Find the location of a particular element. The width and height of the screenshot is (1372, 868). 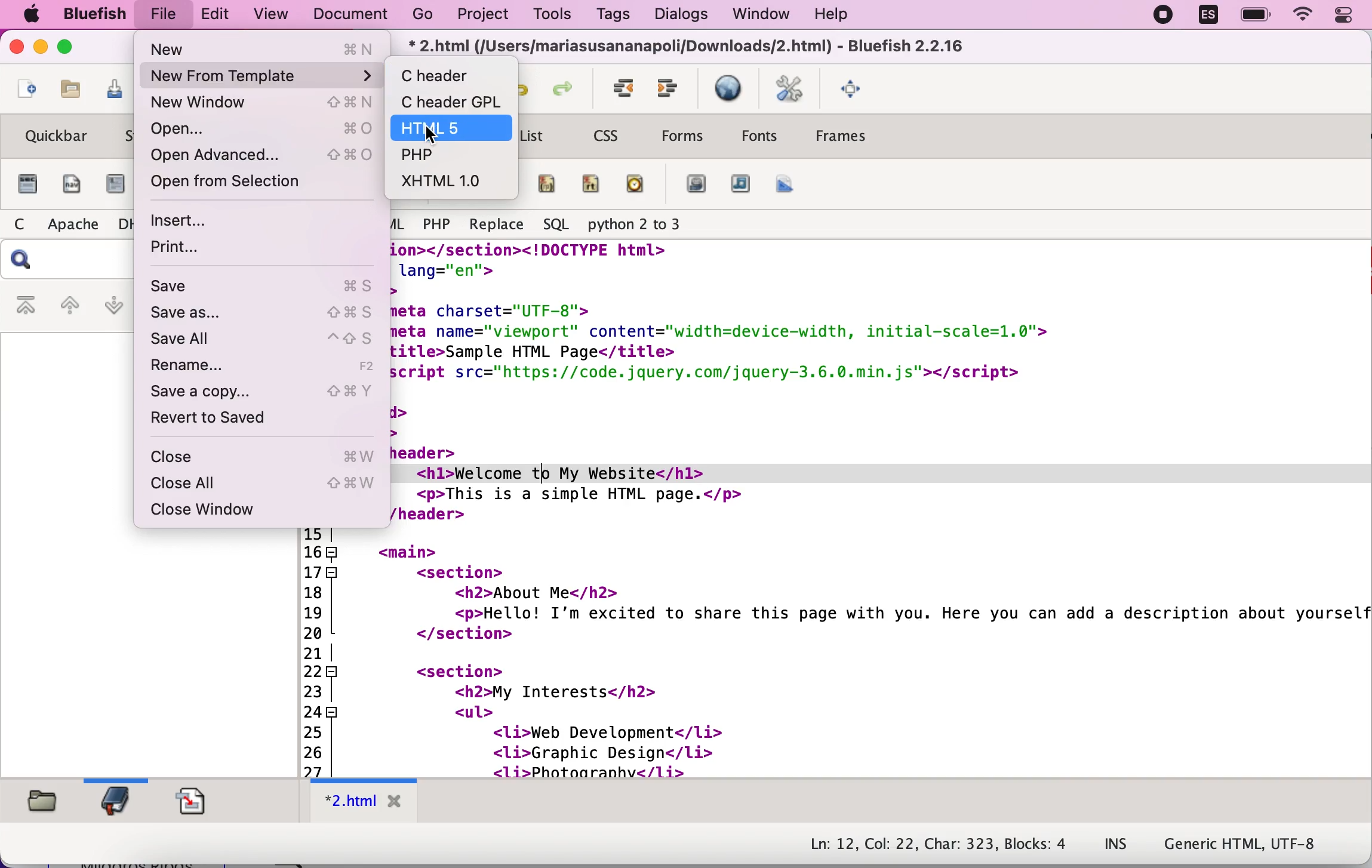

DH is located at coordinates (125, 223).